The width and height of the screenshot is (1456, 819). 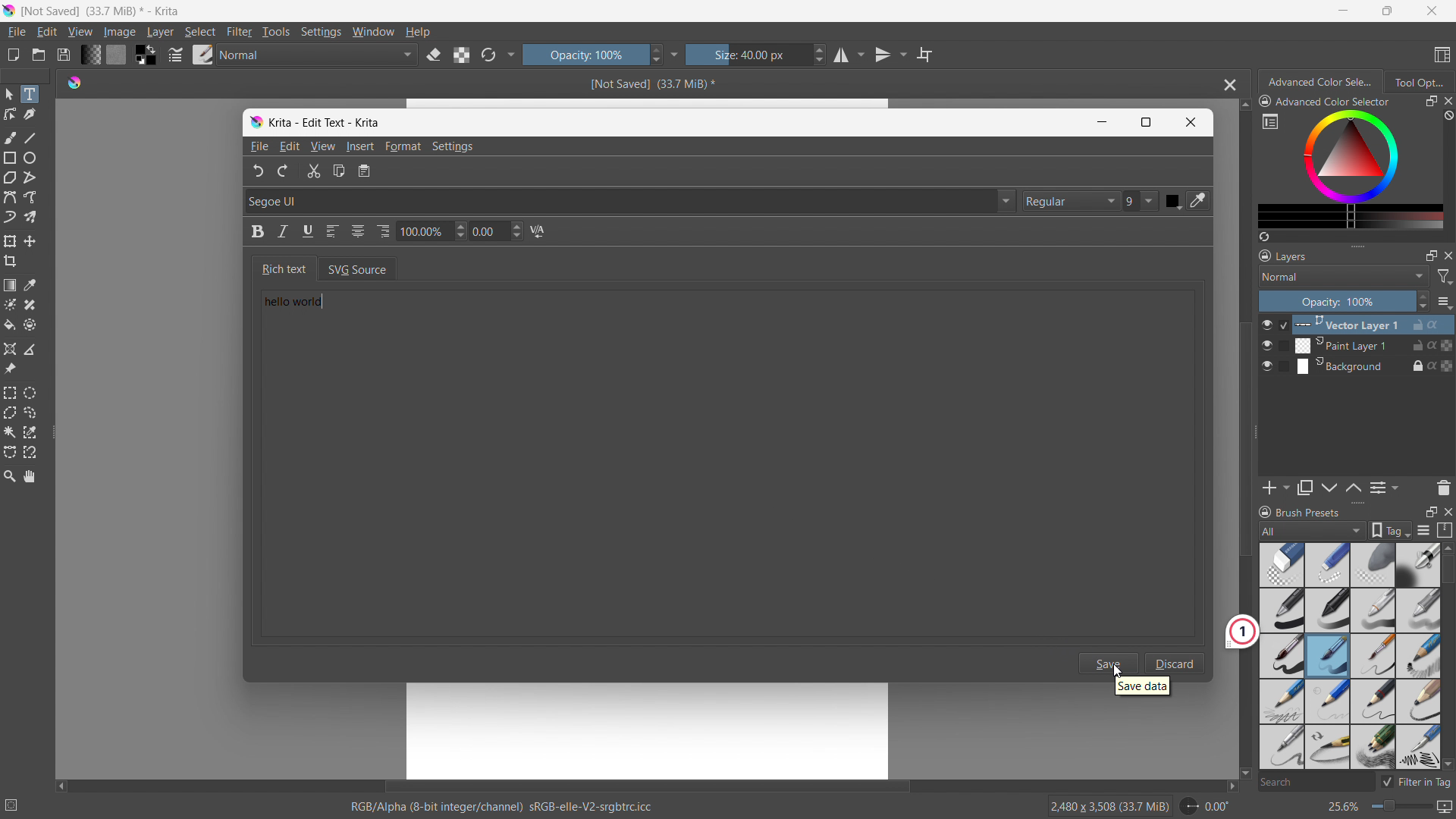 What do you see at coordinates (431, 233) in the screenshot?
I see `100.00%` at bounding box center [431, 233].